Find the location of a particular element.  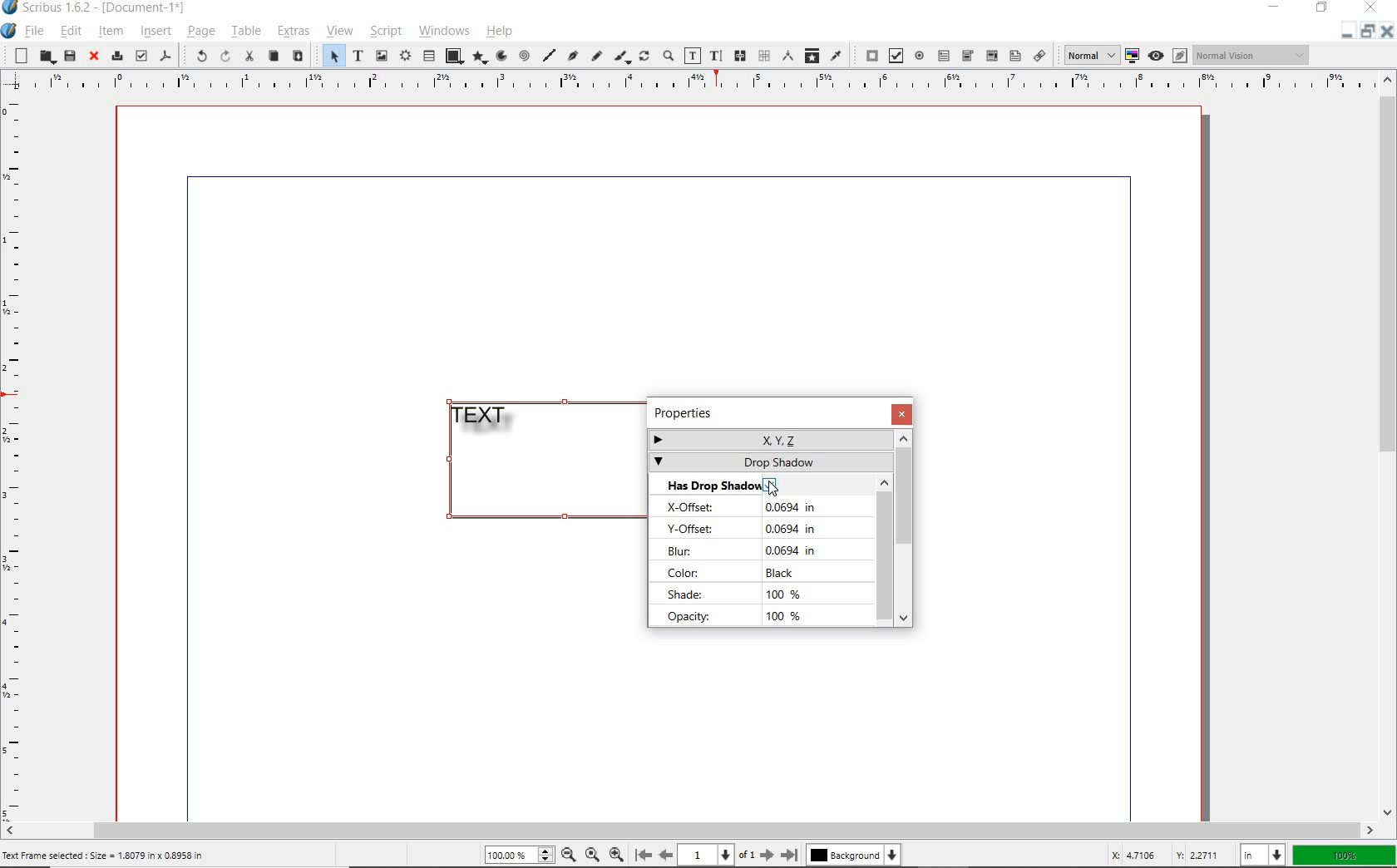

edit text with story editor is located at coordinates (715, 57).